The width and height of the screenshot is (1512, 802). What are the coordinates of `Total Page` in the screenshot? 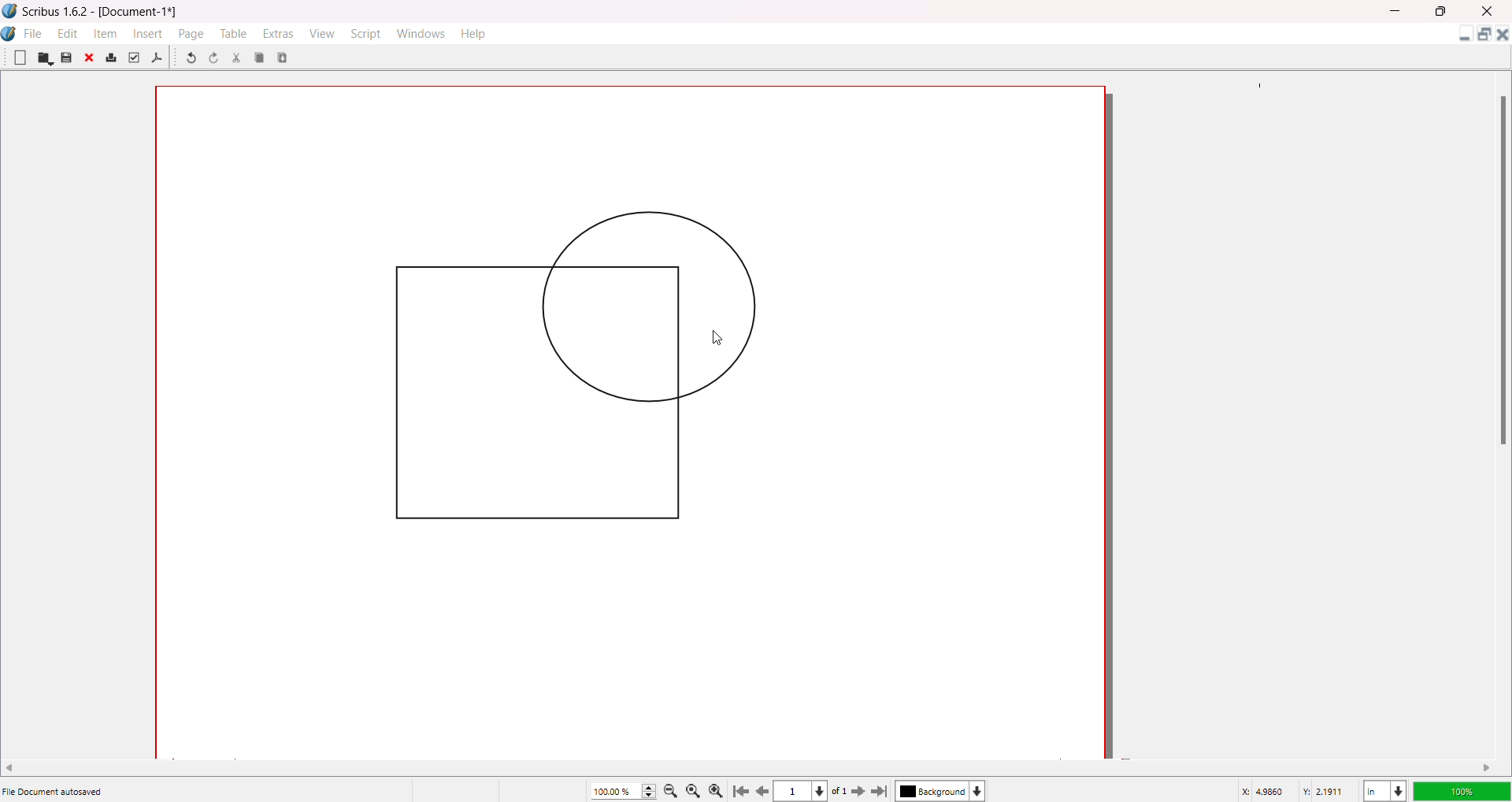 It's located at (844, 792).